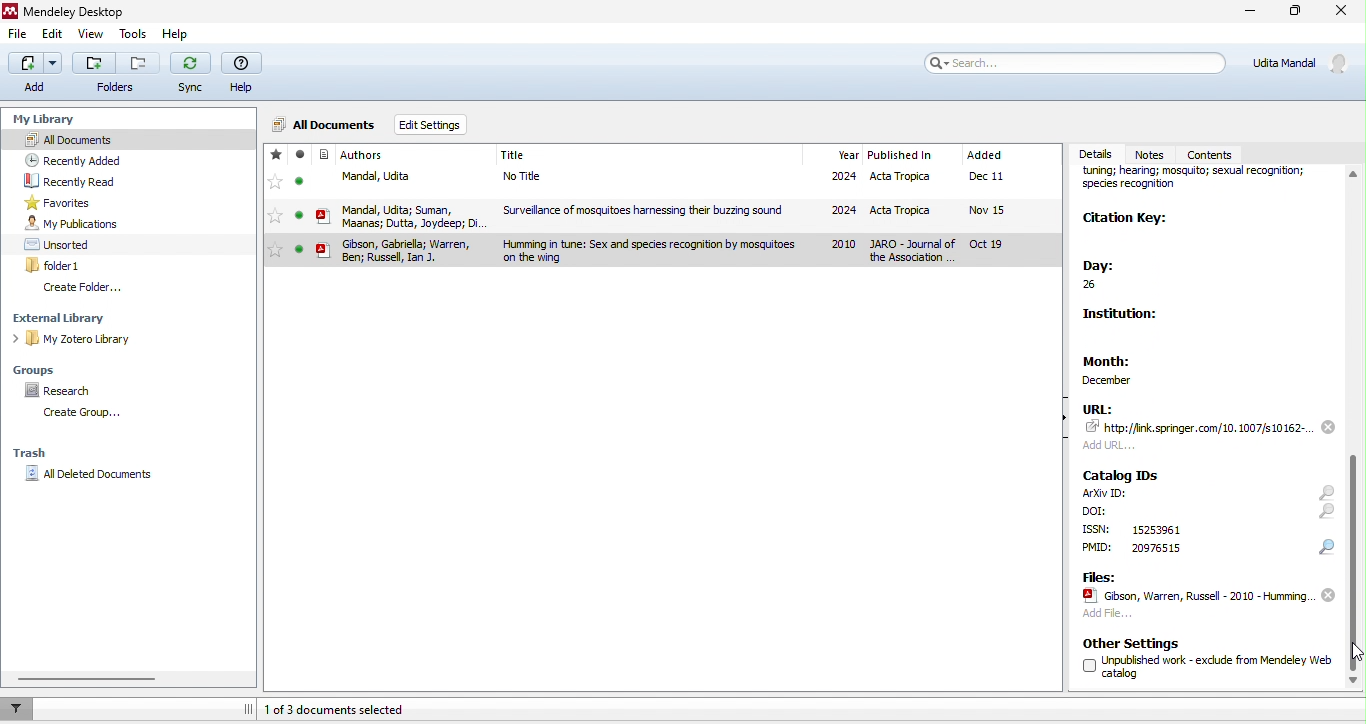 This screenshot has height=724, width=1366. Describe the element at coordinates (900, 156) in the screenshot. I see `published in` at that location.